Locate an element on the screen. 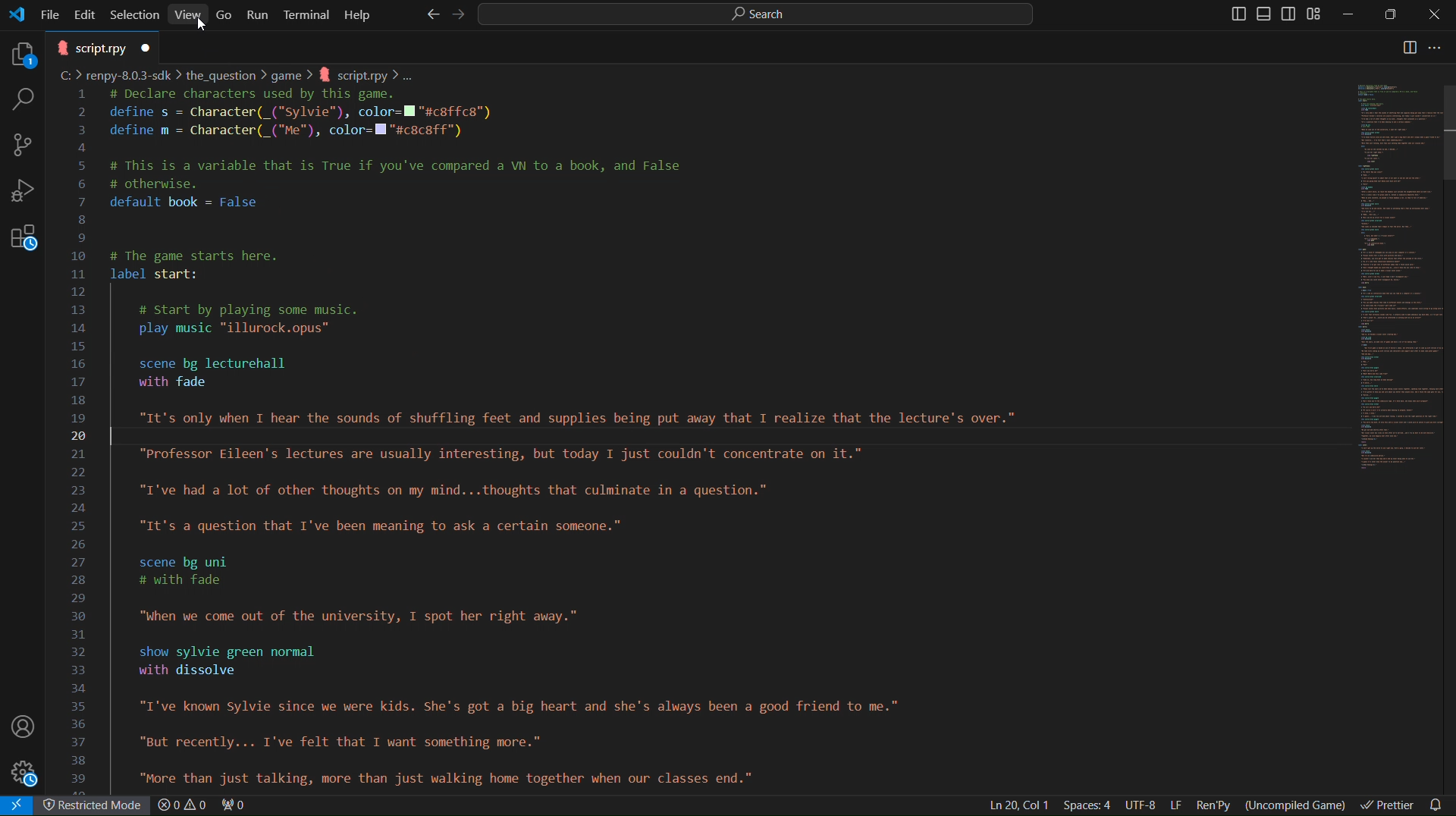 Image resolution: width=1456 pixels, height=816 pixels. More actions is located at coordinates (1443, 49).